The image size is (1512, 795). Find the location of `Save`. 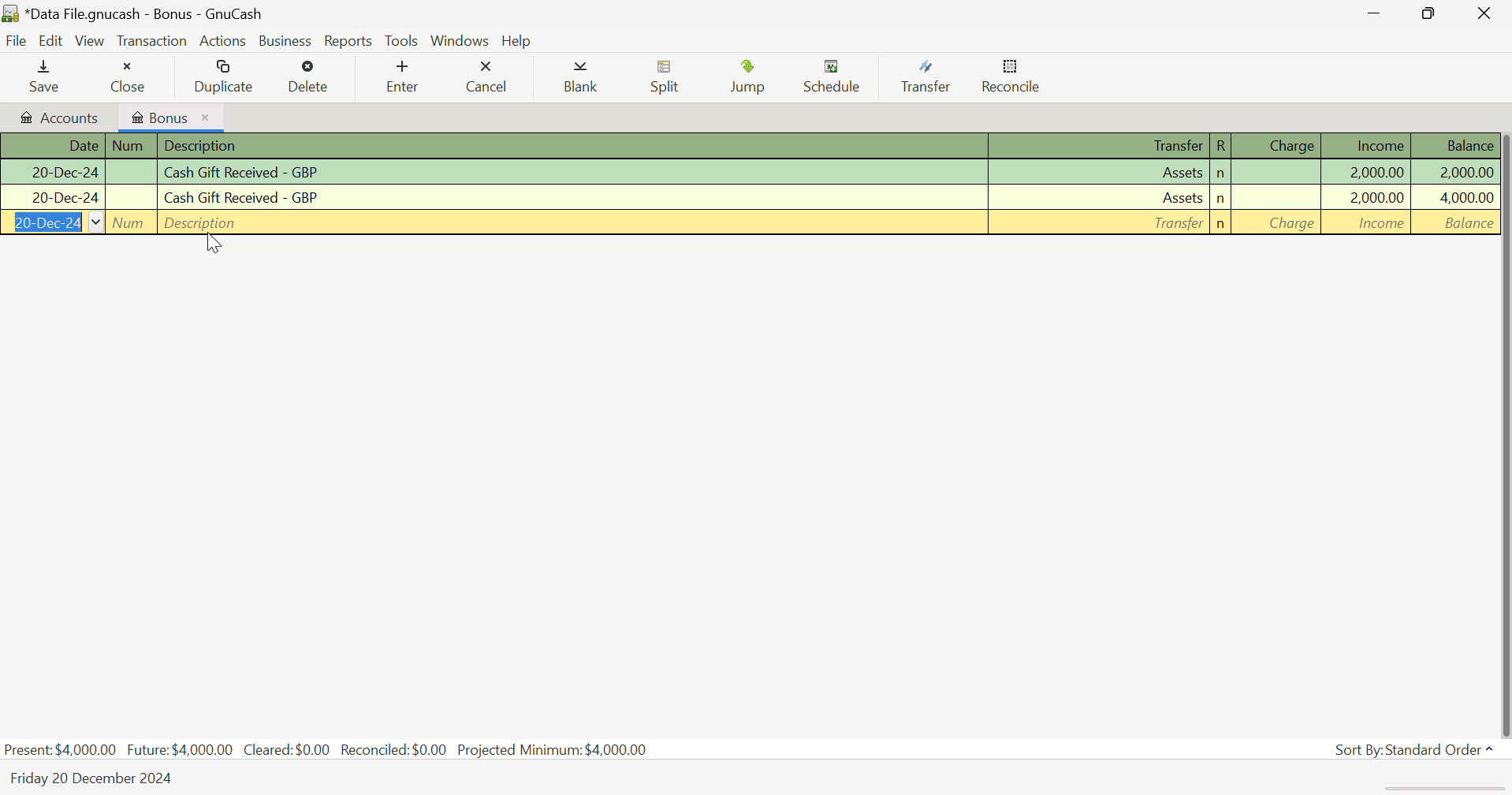

Save is located at coordinates (46, 75).